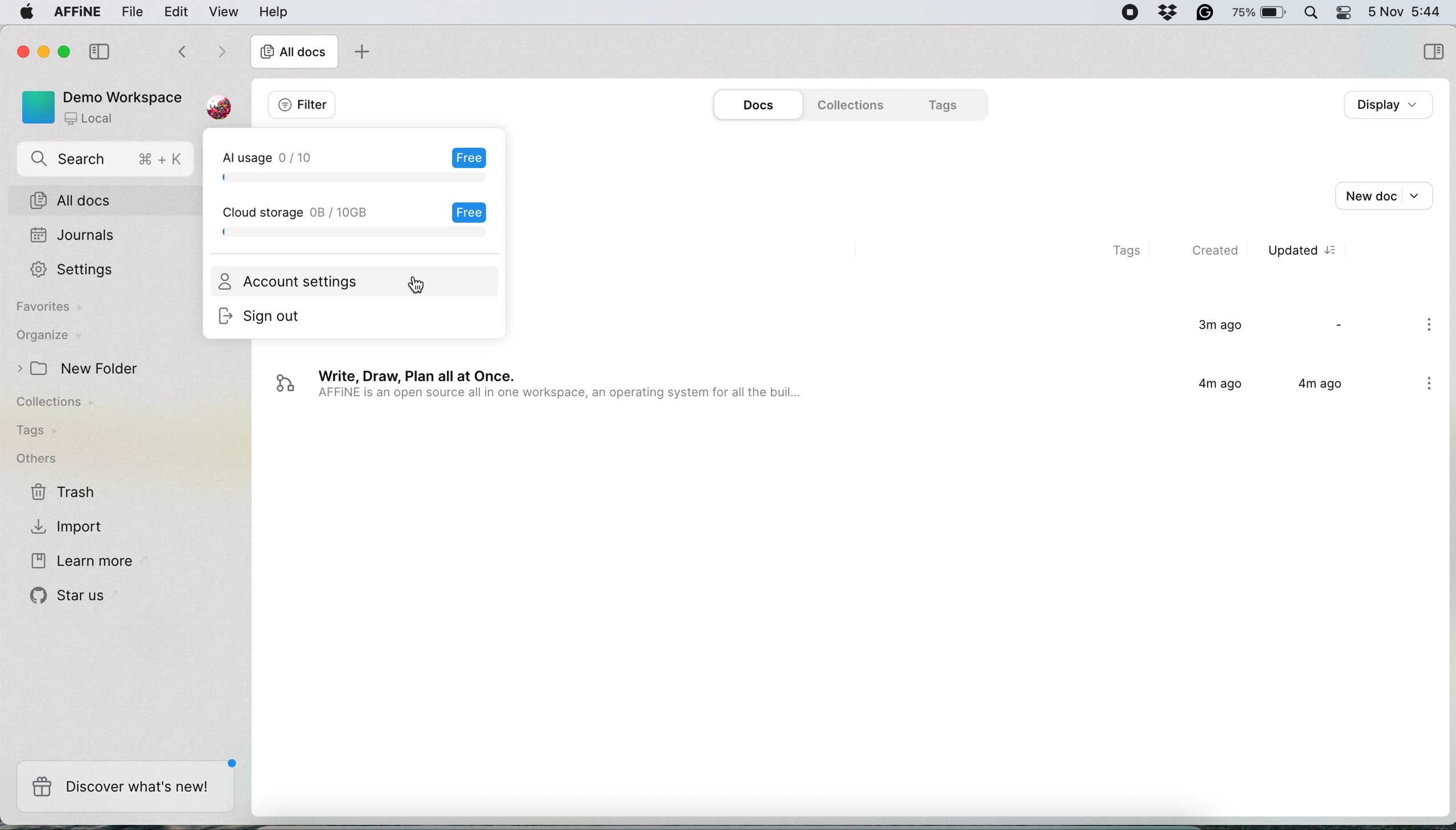 The height and width of the screenshot is (830, 1456). What do you see at coordinates (277, 318) in the screenshot?
I see `sign out` at bounding box center [277, 318].